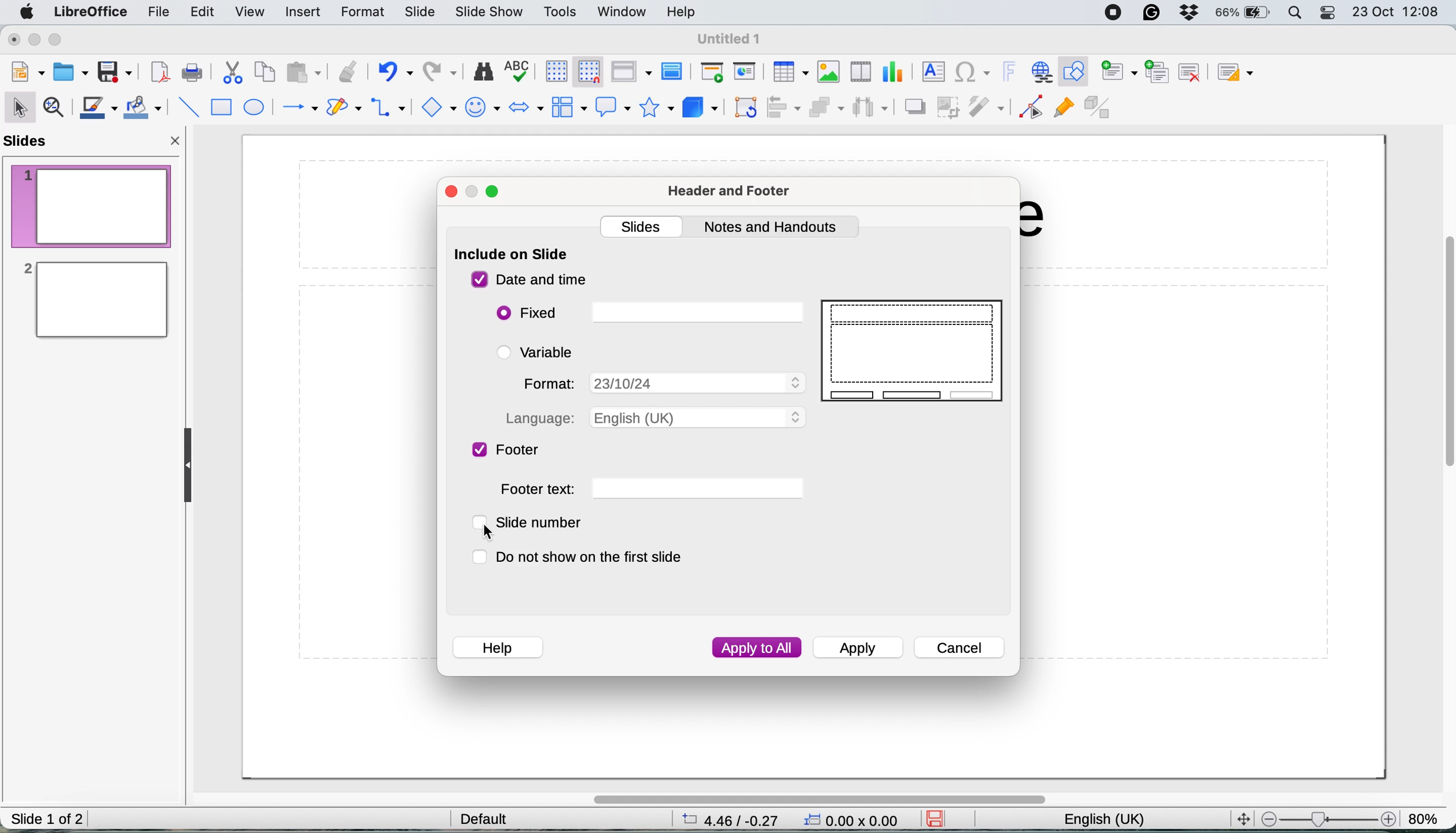 The width and height of the screenshot is (1456, 833). I want to click on block arrows, so click(526, 109).